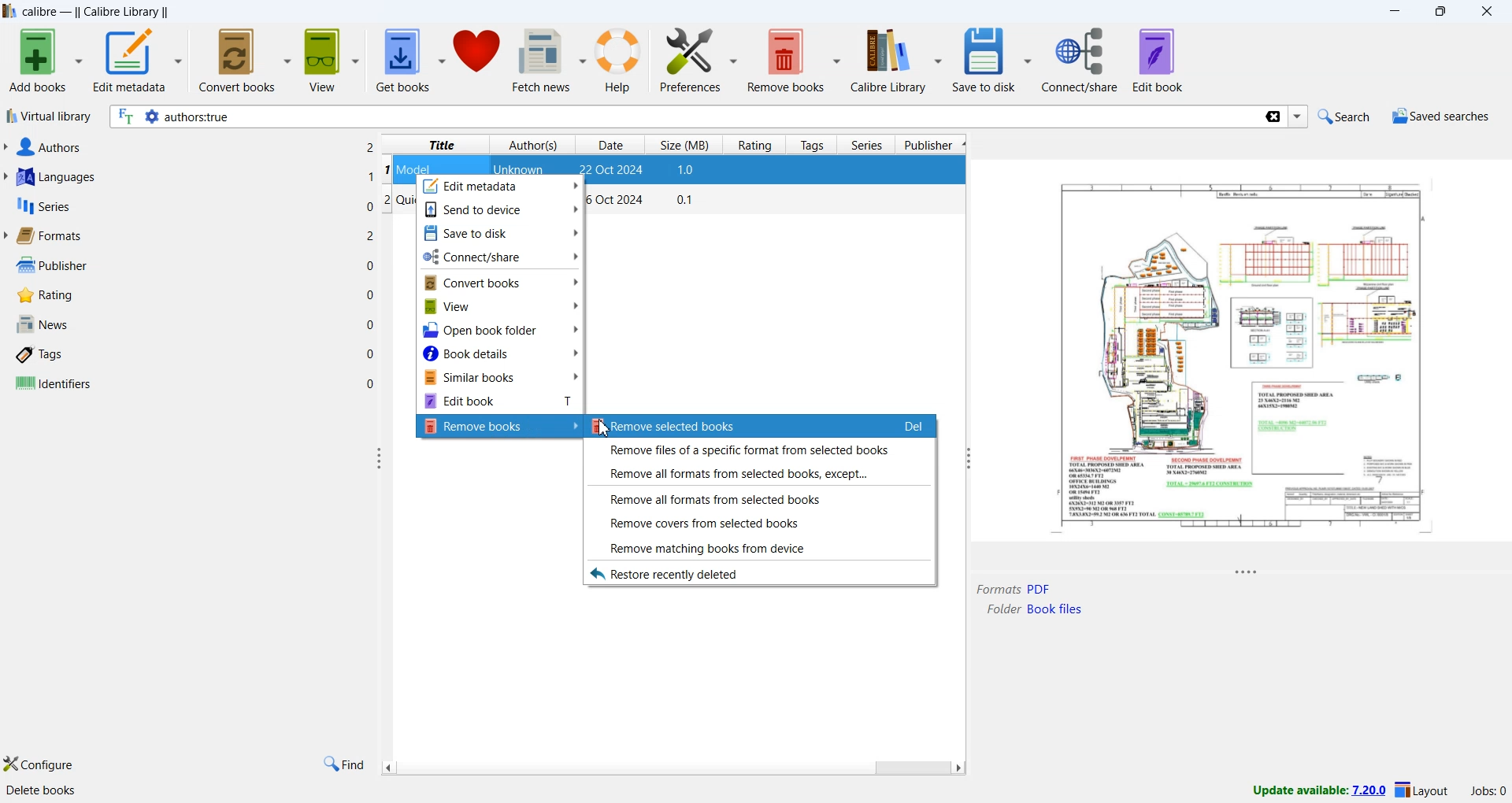 The image size is (1512, 803). Describe the element at coordinates (672, 768) in the screenshot. I see `Scroll` at that location.